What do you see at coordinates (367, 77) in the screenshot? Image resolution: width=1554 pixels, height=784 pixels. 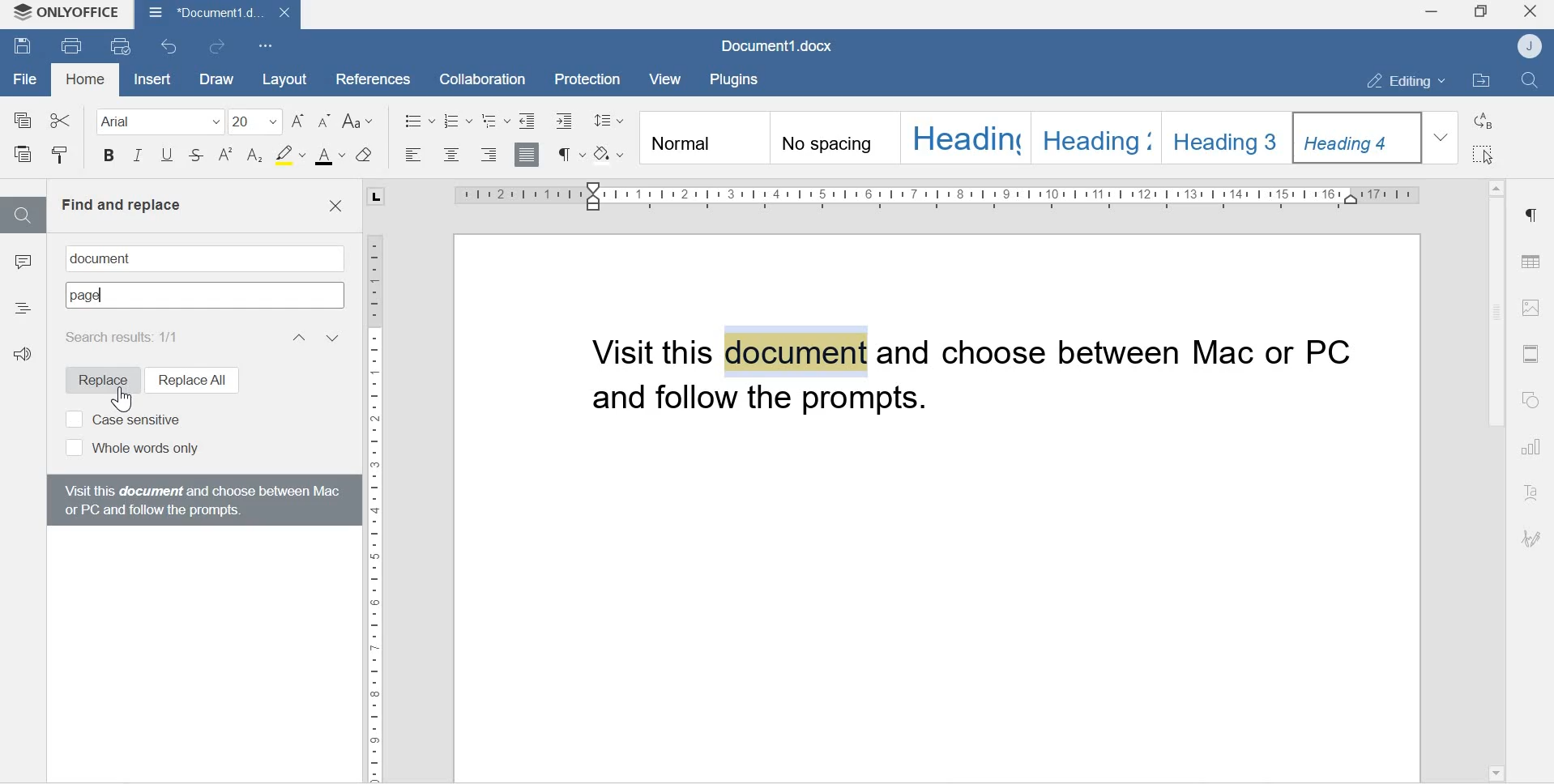 I see `References` at bounding box center [367, 77].